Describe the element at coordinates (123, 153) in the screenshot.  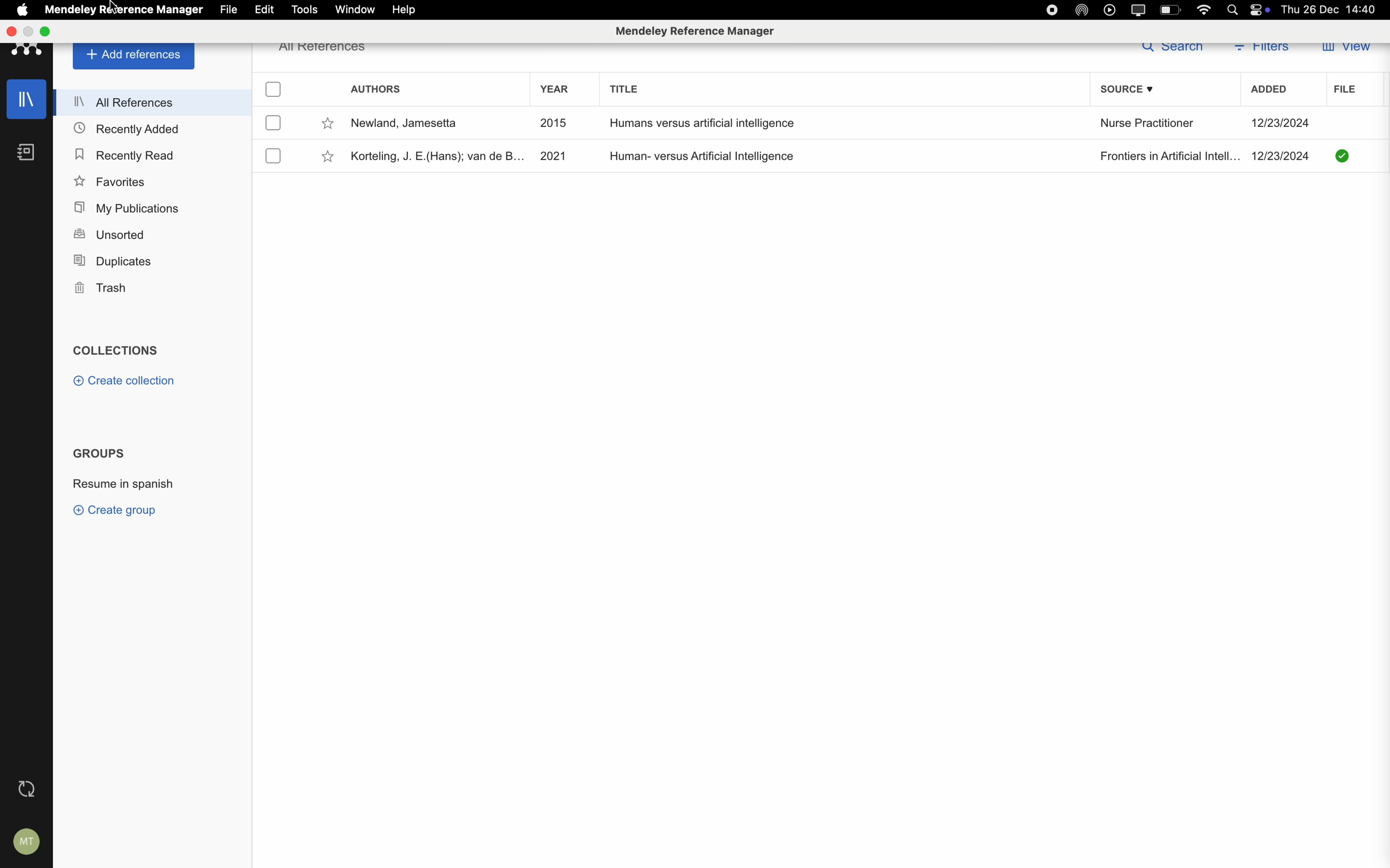
I see `recently read` at that location.